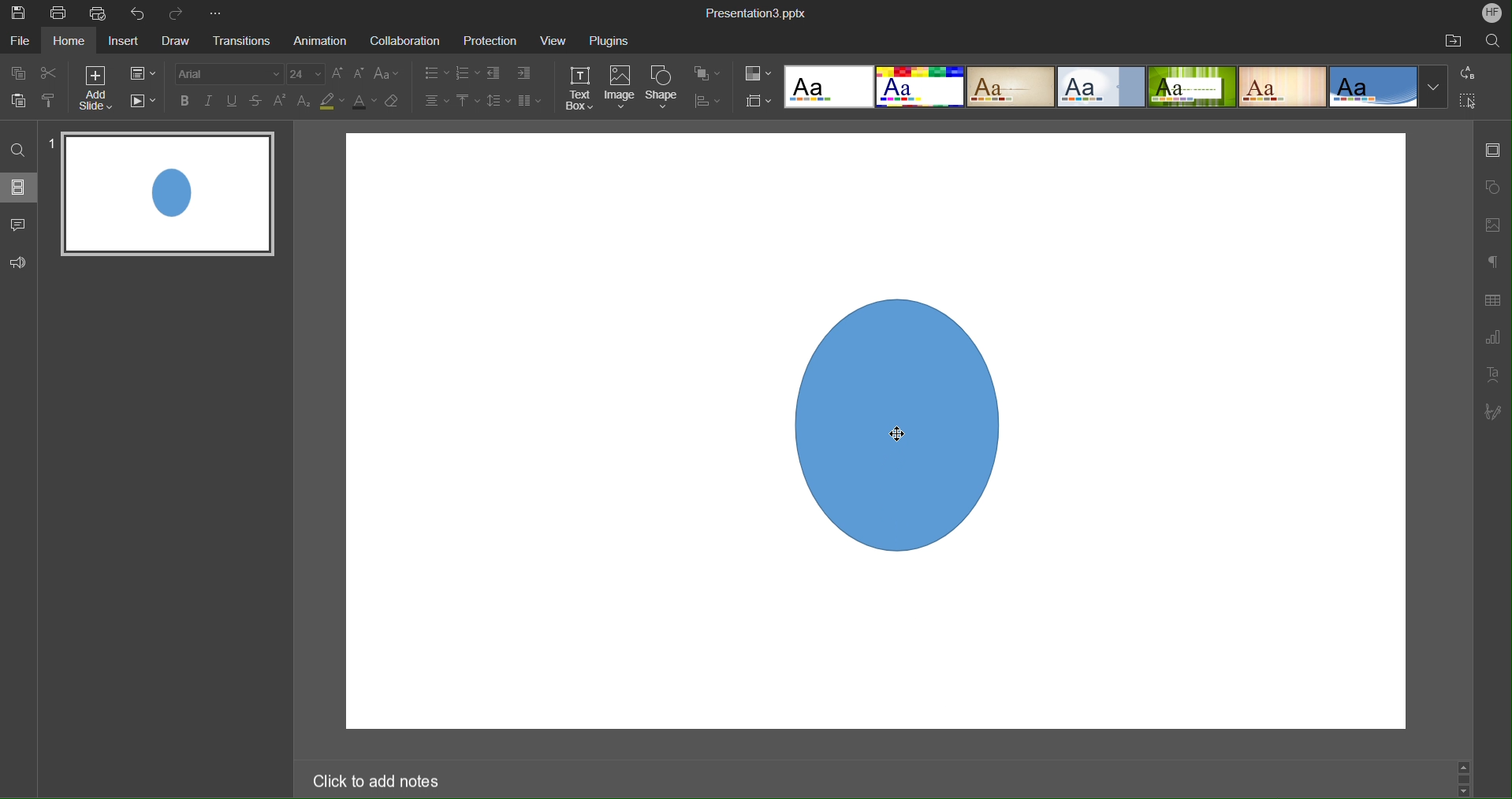 The width and height of the screenshot is (1512, 799). What do you see at coordinates (709, 75) in the screenshot?
I see `Arrange` at bounding box center [709, 75].